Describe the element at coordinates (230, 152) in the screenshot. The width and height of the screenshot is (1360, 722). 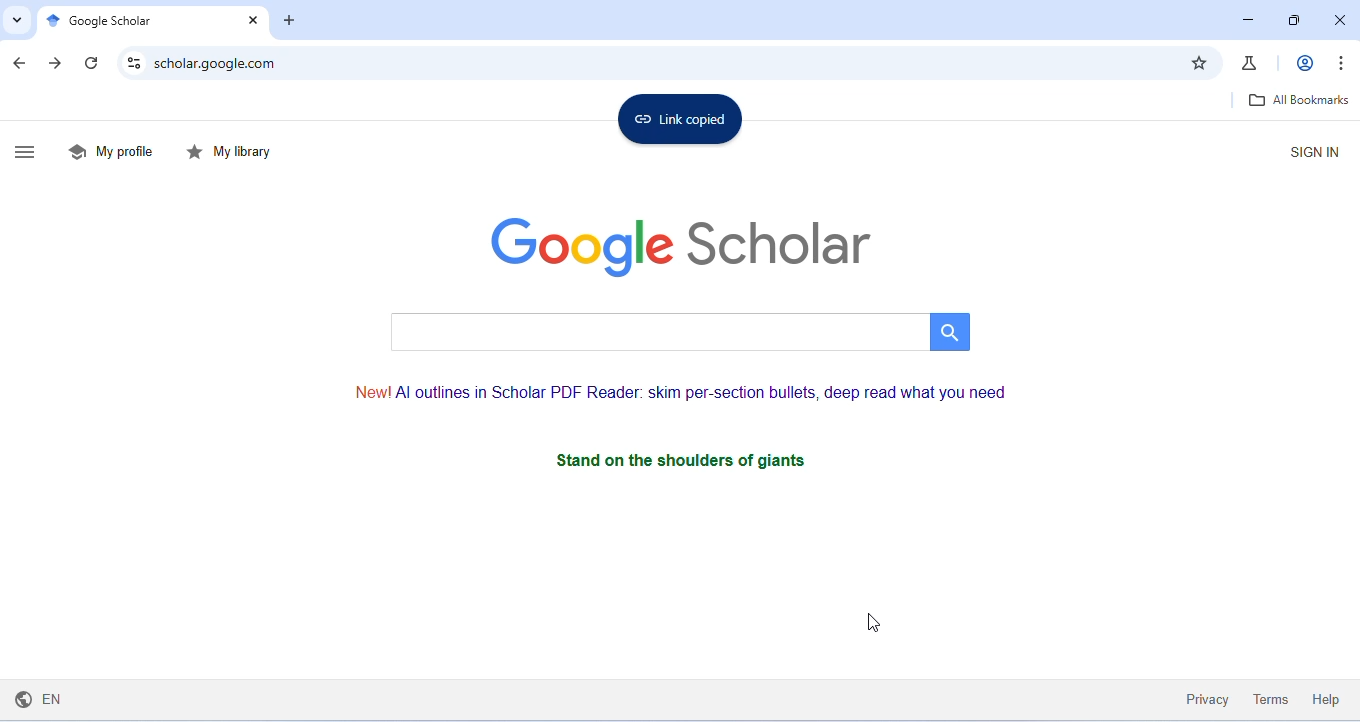
I see `my library` at that location.